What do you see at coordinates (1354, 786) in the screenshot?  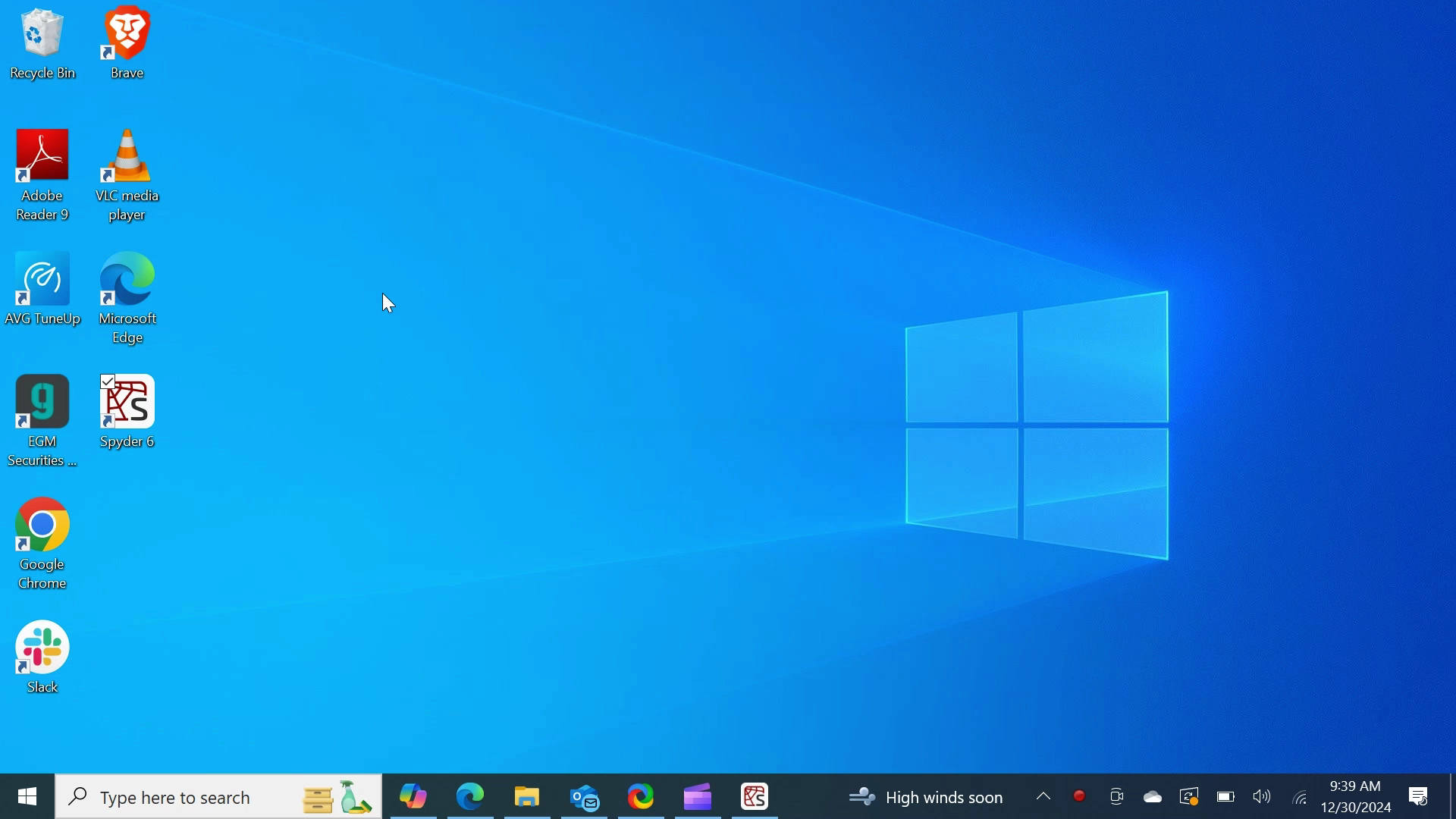 I see `9:39 AM` at bounding box center [1354, 786].